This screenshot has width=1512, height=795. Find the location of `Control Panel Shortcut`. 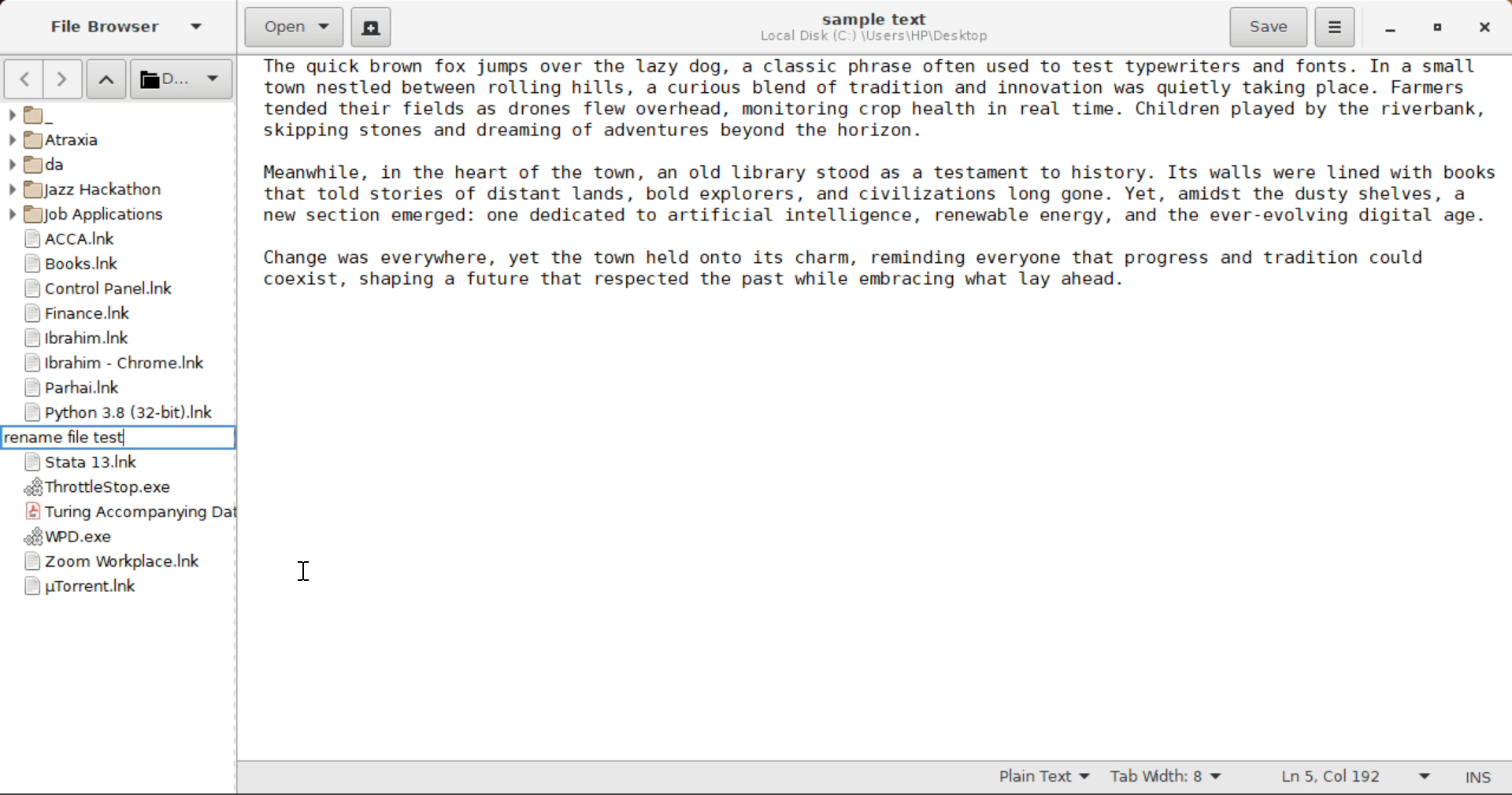

Control Panel Shortcut is located at coordinates (117, 288).